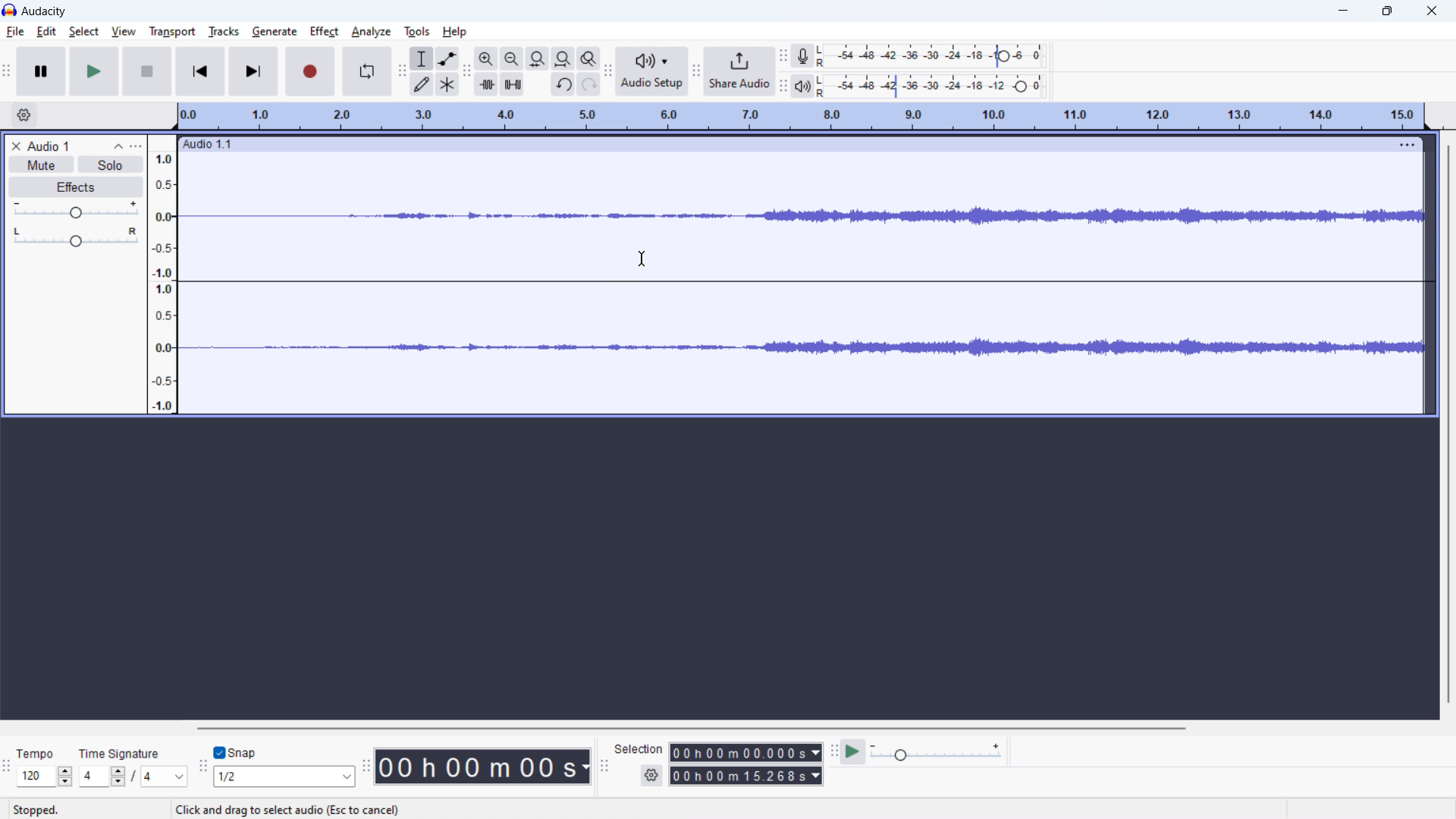 The image size is (1456, 819). I want to click on volume, so click(77, 210).